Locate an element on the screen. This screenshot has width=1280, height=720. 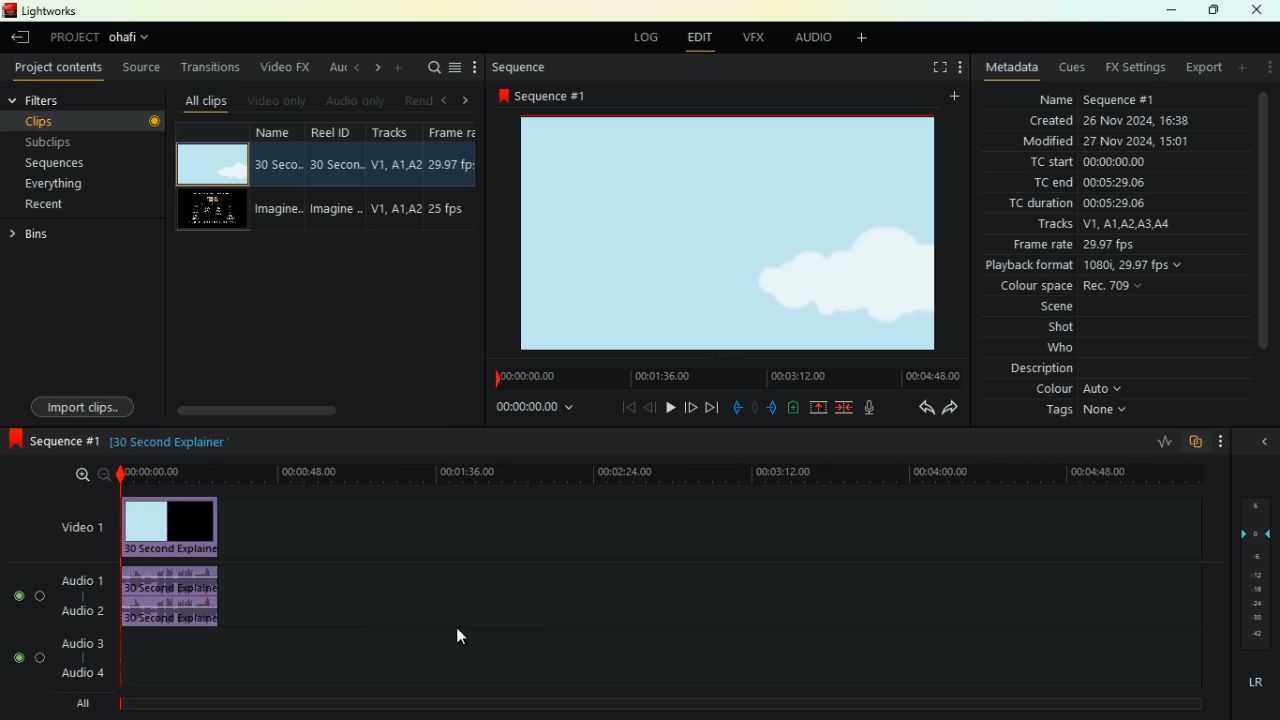
video is located at coordinates (211, 160).